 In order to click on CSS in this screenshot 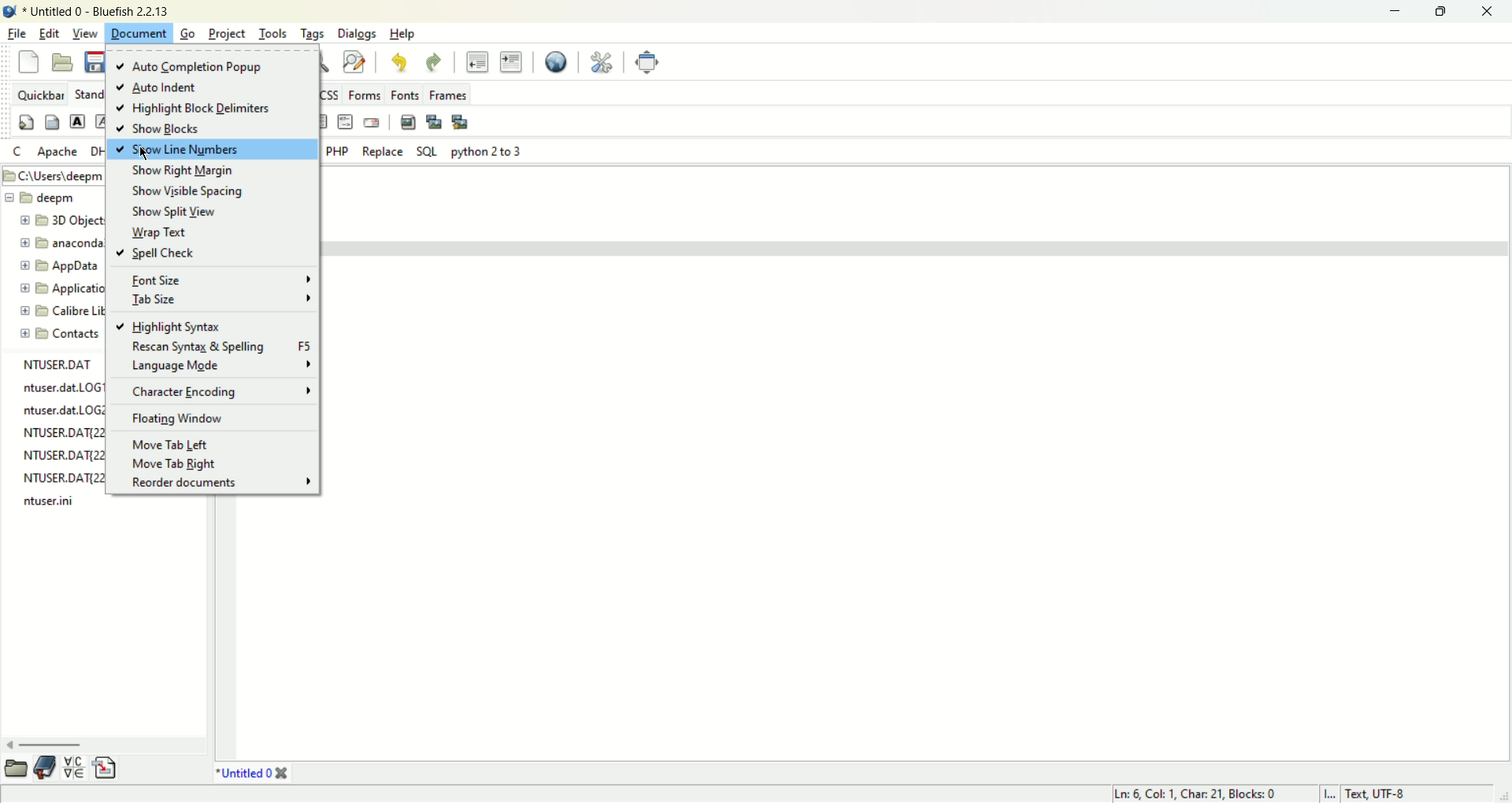, I will do `click(331, 94)`.